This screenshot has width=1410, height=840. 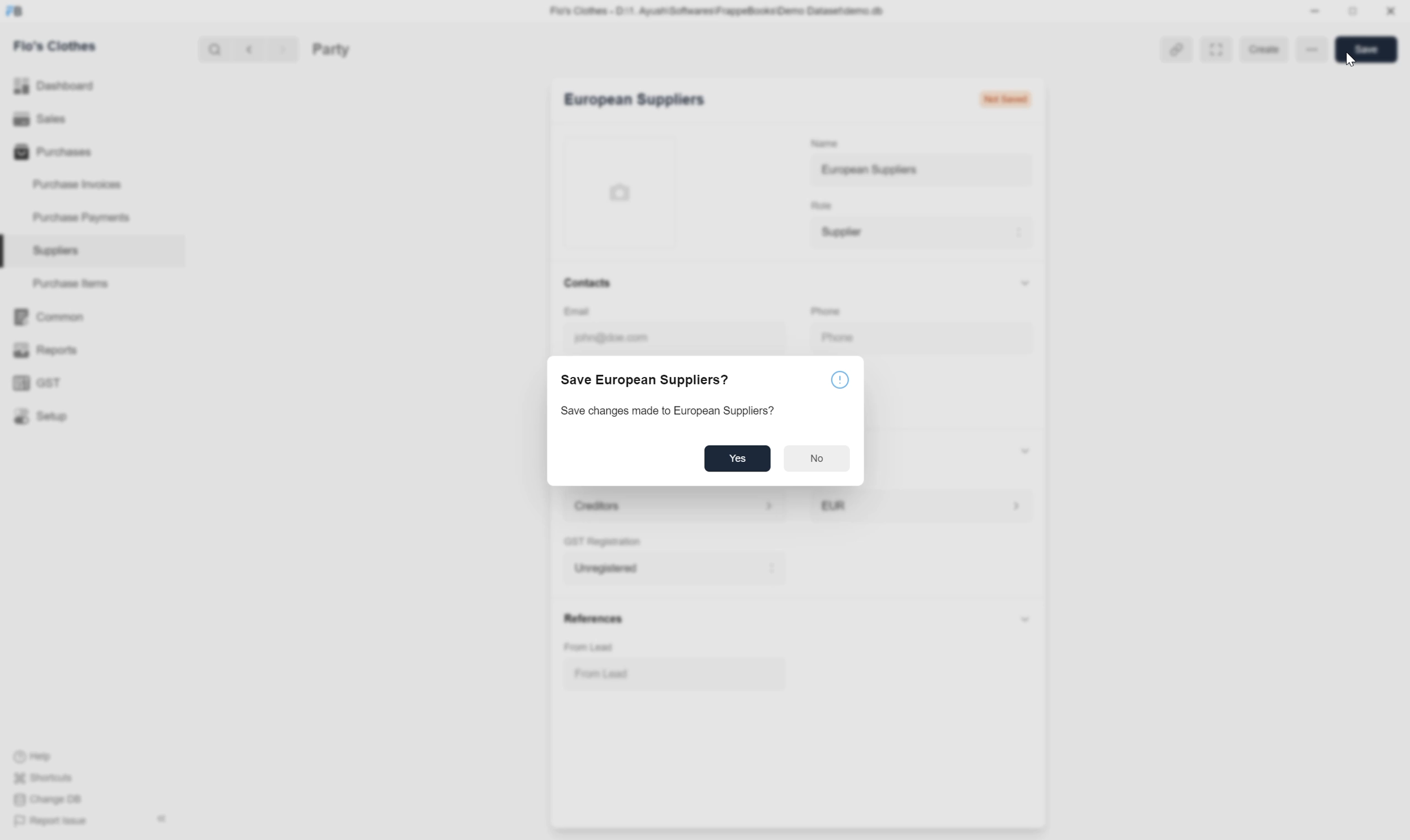 What do you see at coordinates (597, 646) in the screenshot?
I see `From Lead` at bounding box center [597, 646].